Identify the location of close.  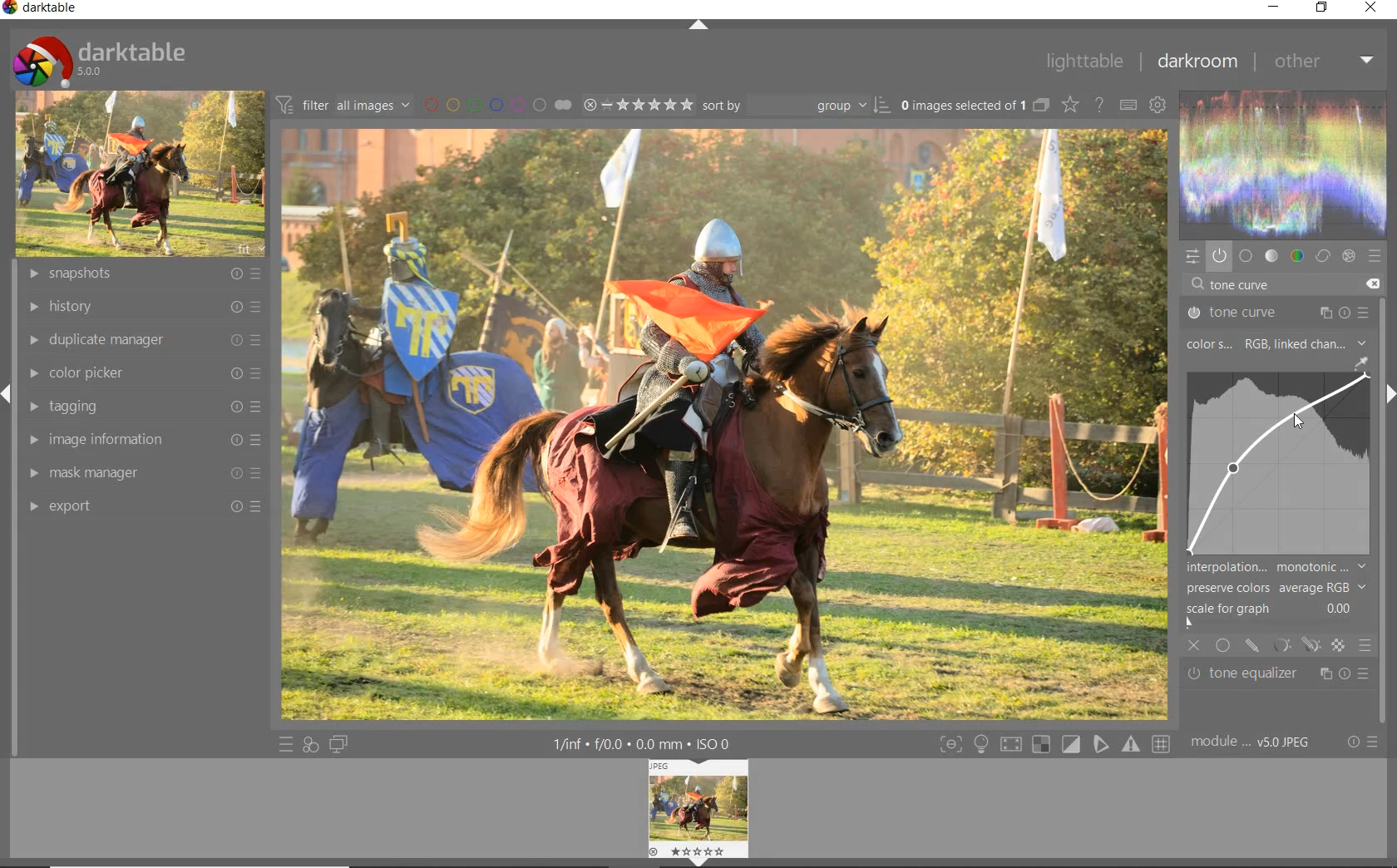
(1372, 8).